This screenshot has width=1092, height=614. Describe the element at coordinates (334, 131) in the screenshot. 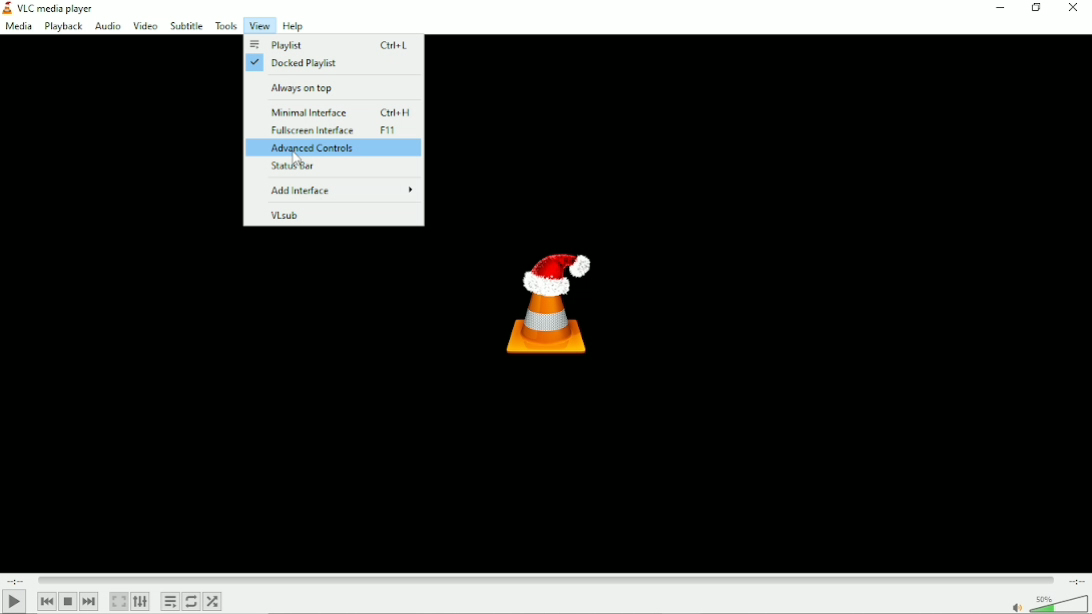

I see `Fullscreen interface` at that location.